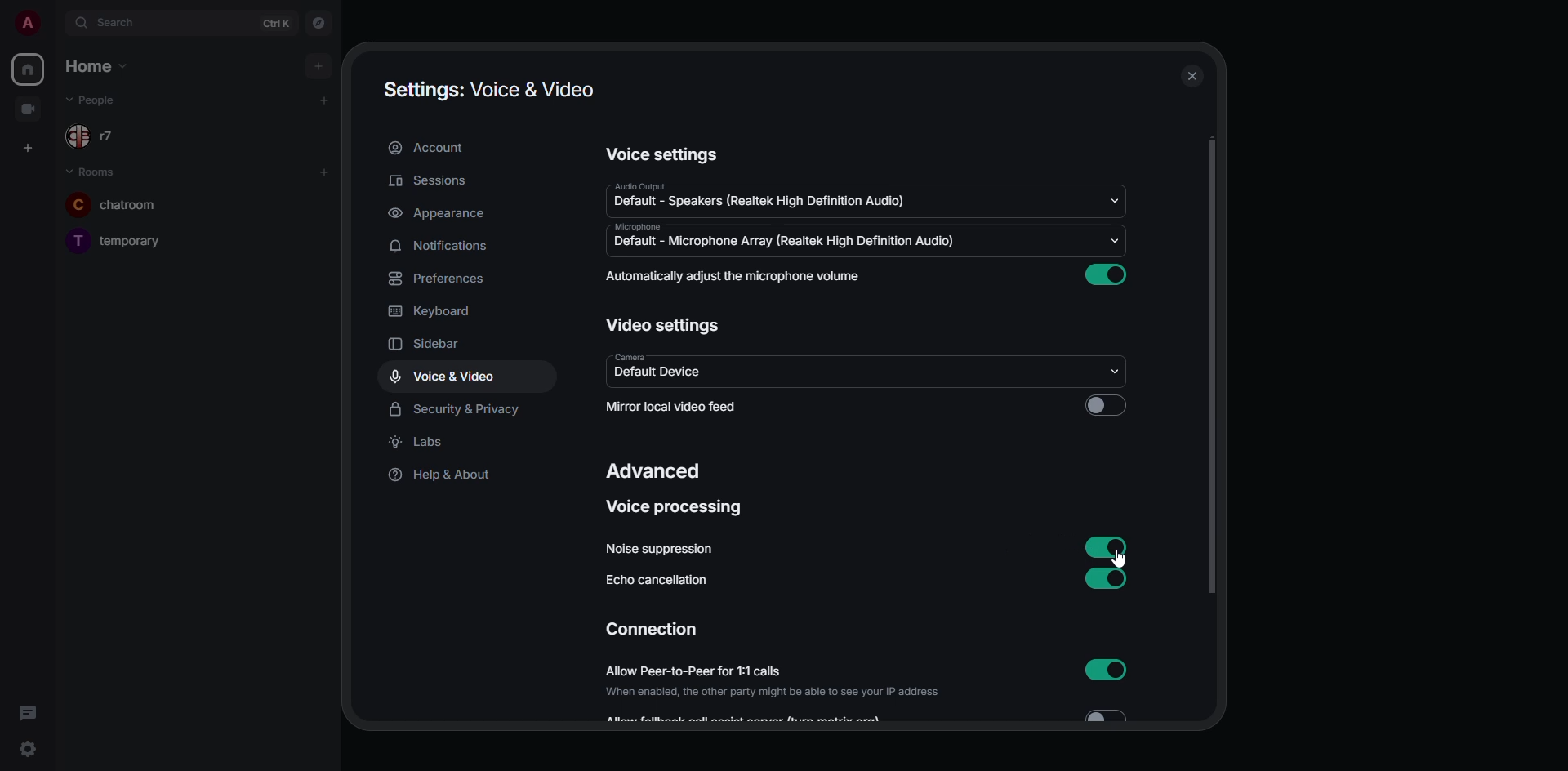 The width and height of the screenshot is (1568, 771). What do you see at coordinates (677, 408) in the screenshot?
I see `mirror local video feed` at bounding box center [677, 408].